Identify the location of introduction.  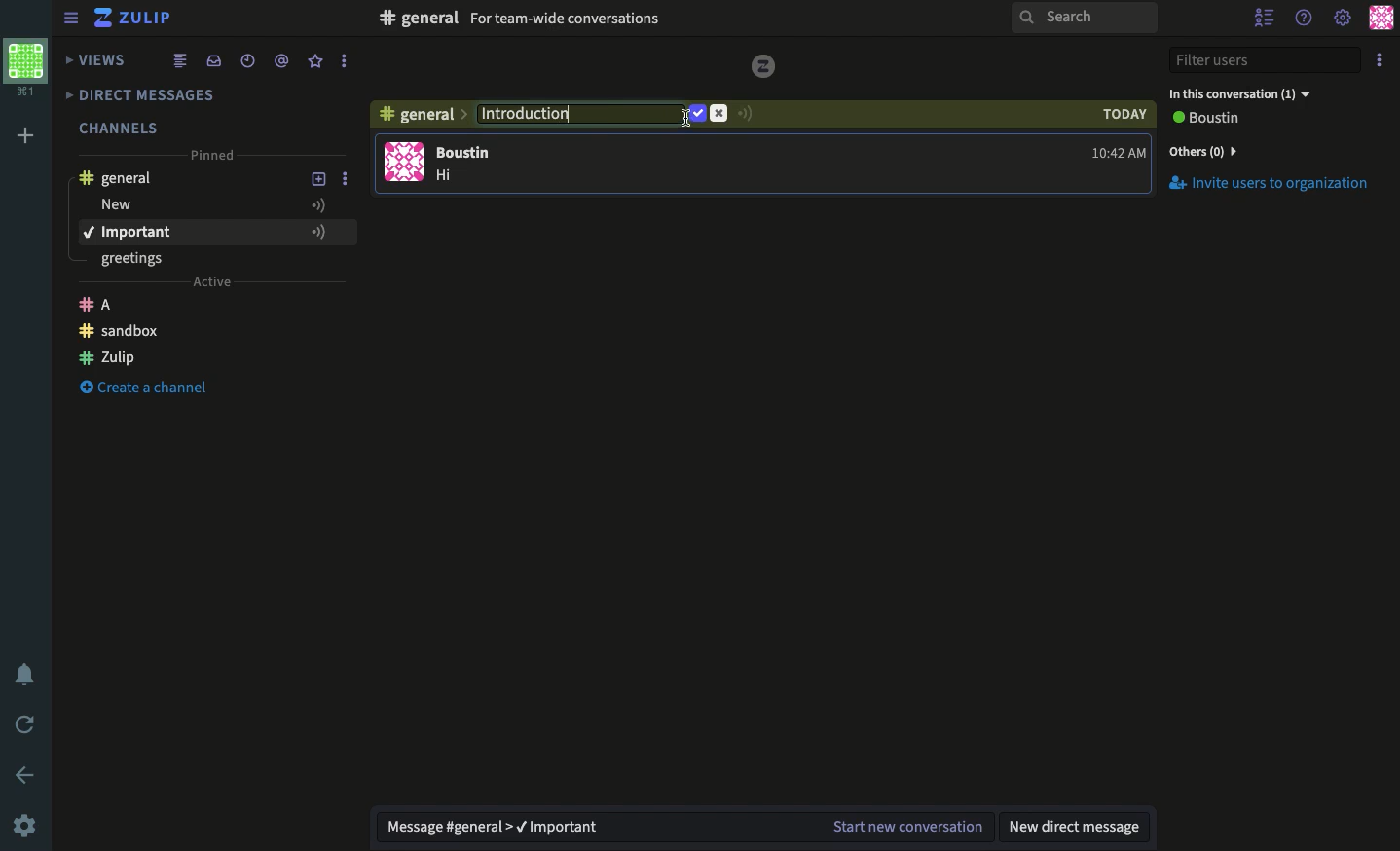
(188, 232).